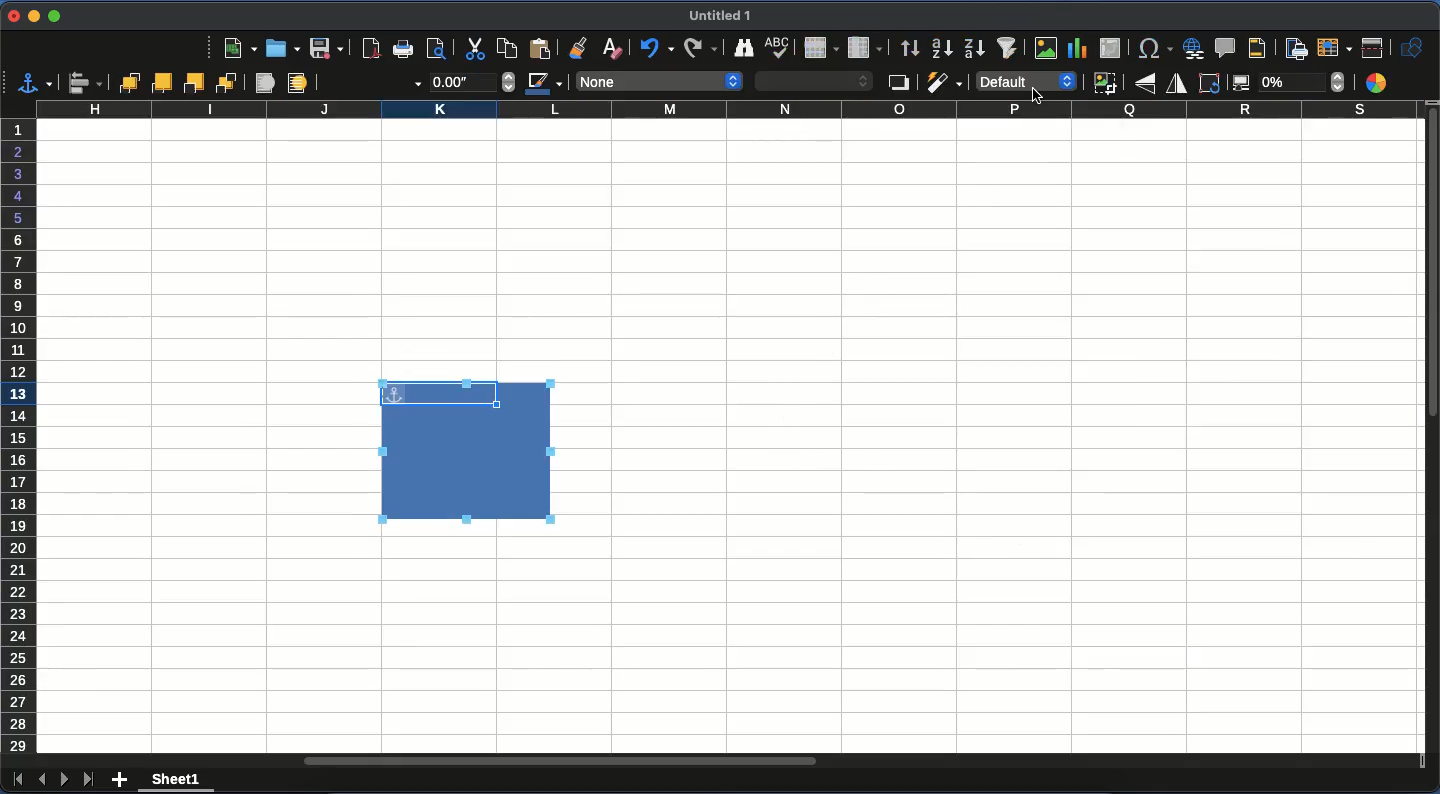 This screenshot has width=1440, height=794. What do you see at coordinates (263, 84) in the screenshot?
I see `foreground` at bounding box center [263, 84].